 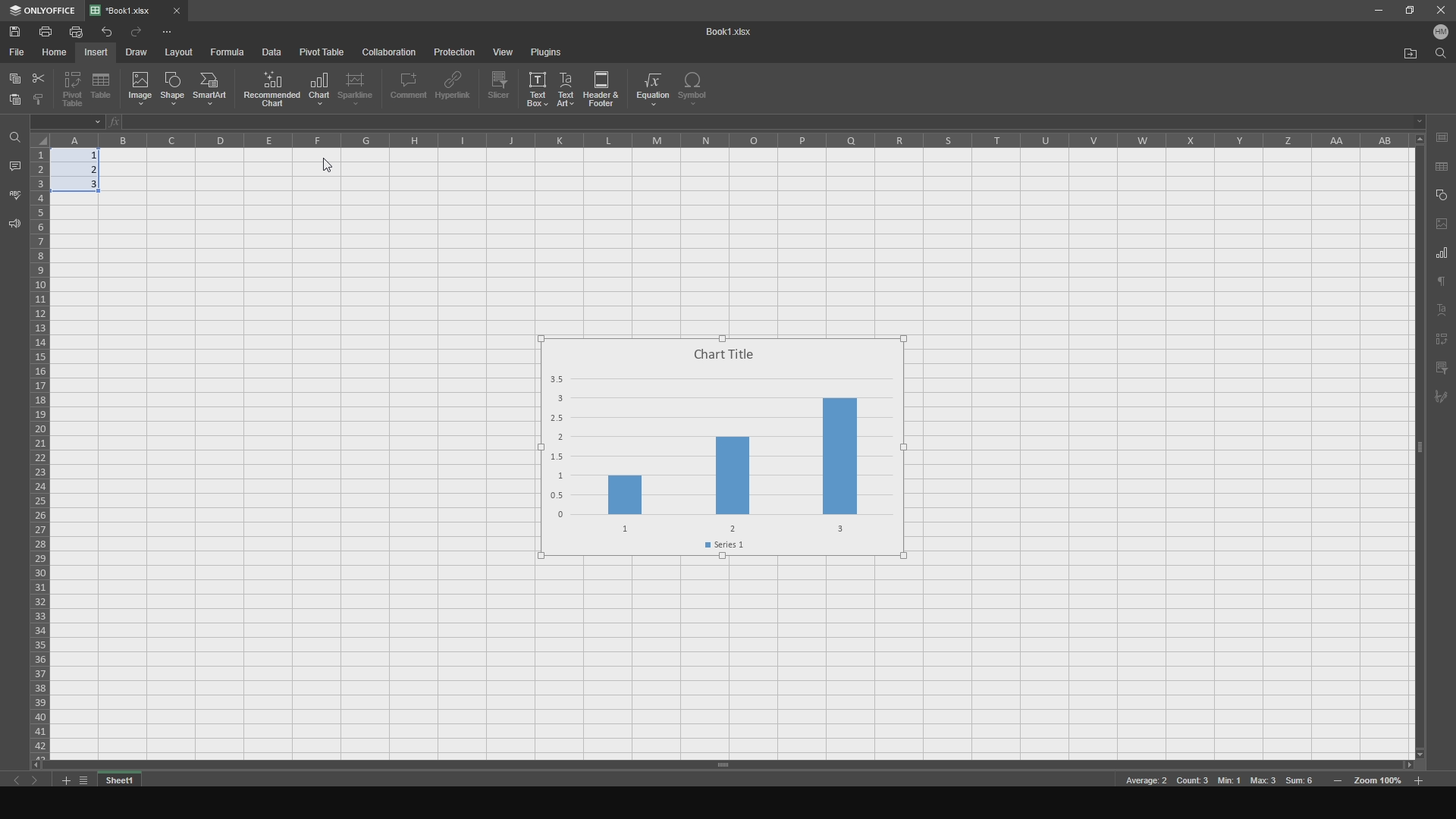 What do you see at coordinates (602, 88) in the screenshot?
I see `header and footer` at bounding box center [602, 88].